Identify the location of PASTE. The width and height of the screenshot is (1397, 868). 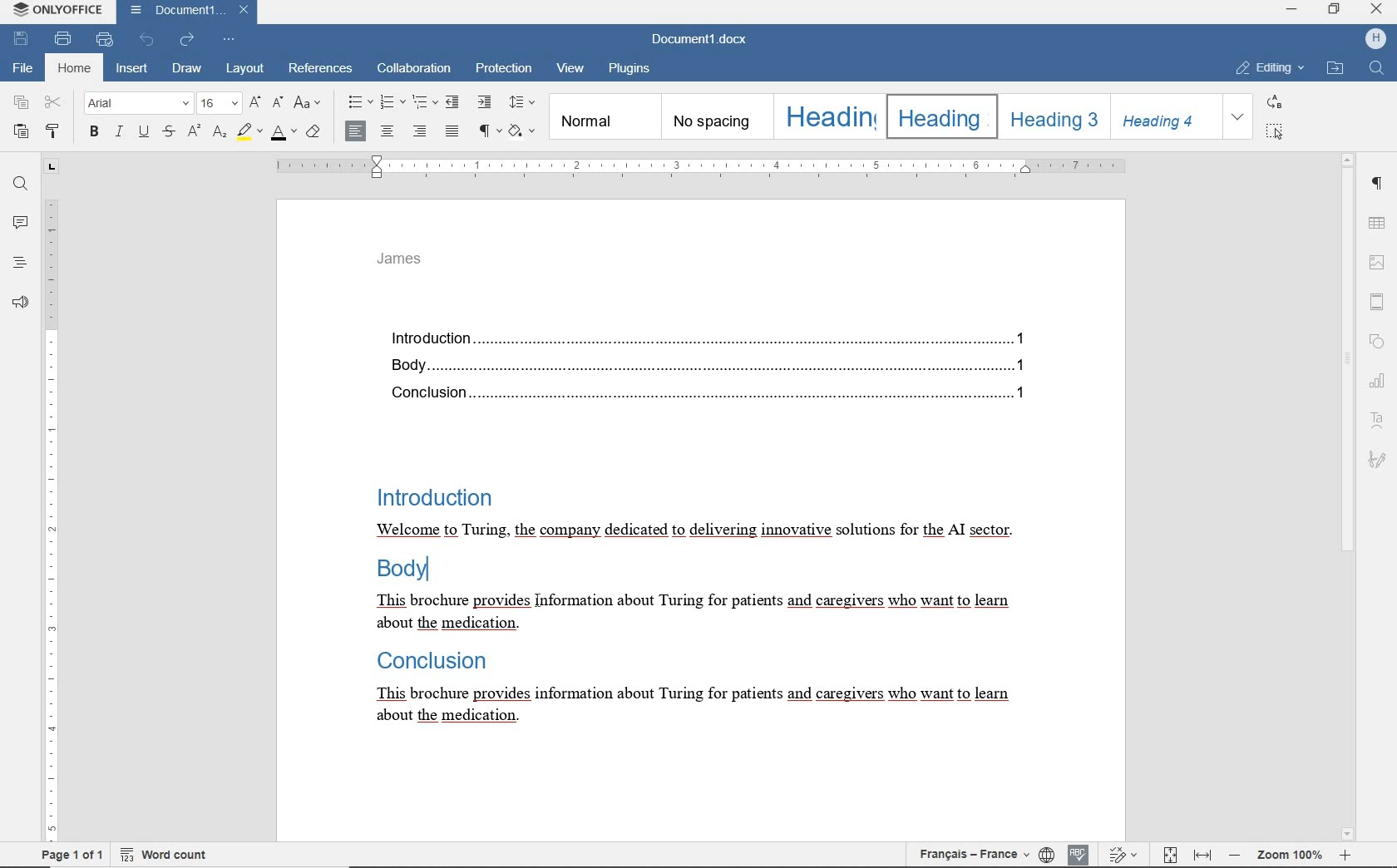
(21, 132).